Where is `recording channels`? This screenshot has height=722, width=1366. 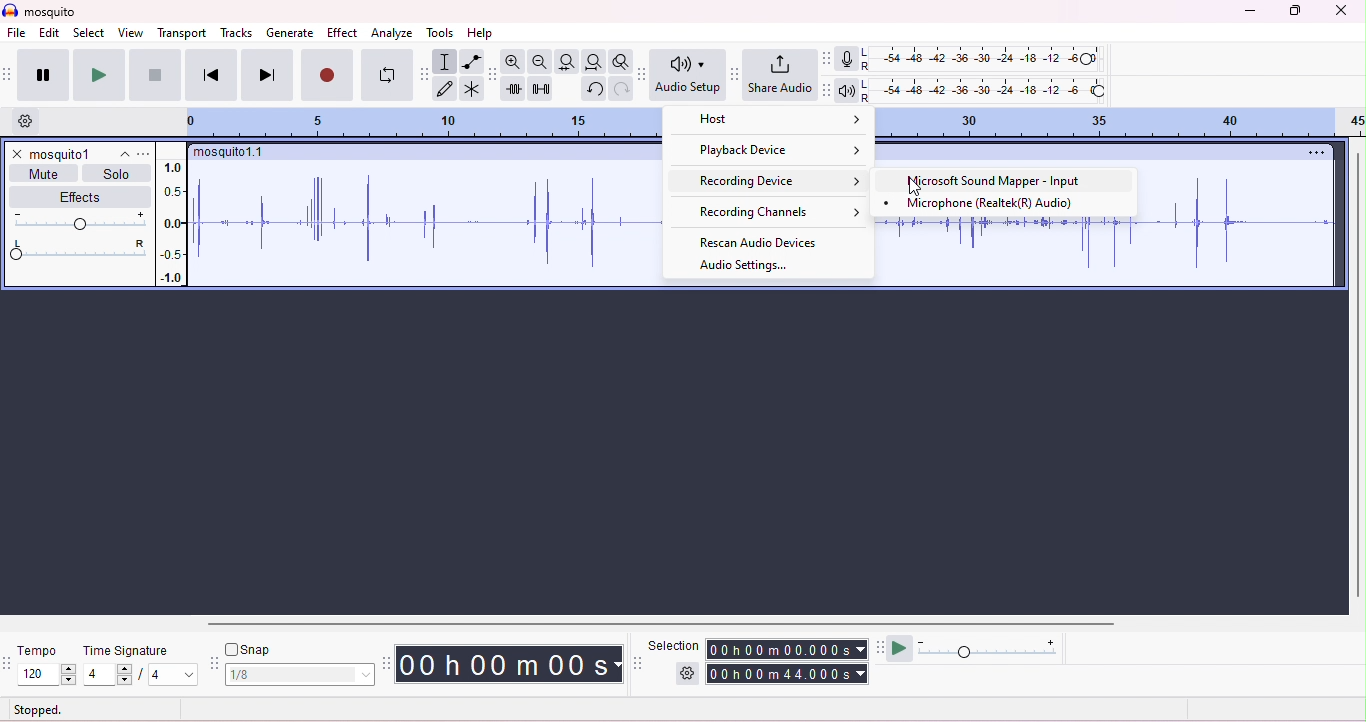 recording channels is located at coordinates (767, 211).